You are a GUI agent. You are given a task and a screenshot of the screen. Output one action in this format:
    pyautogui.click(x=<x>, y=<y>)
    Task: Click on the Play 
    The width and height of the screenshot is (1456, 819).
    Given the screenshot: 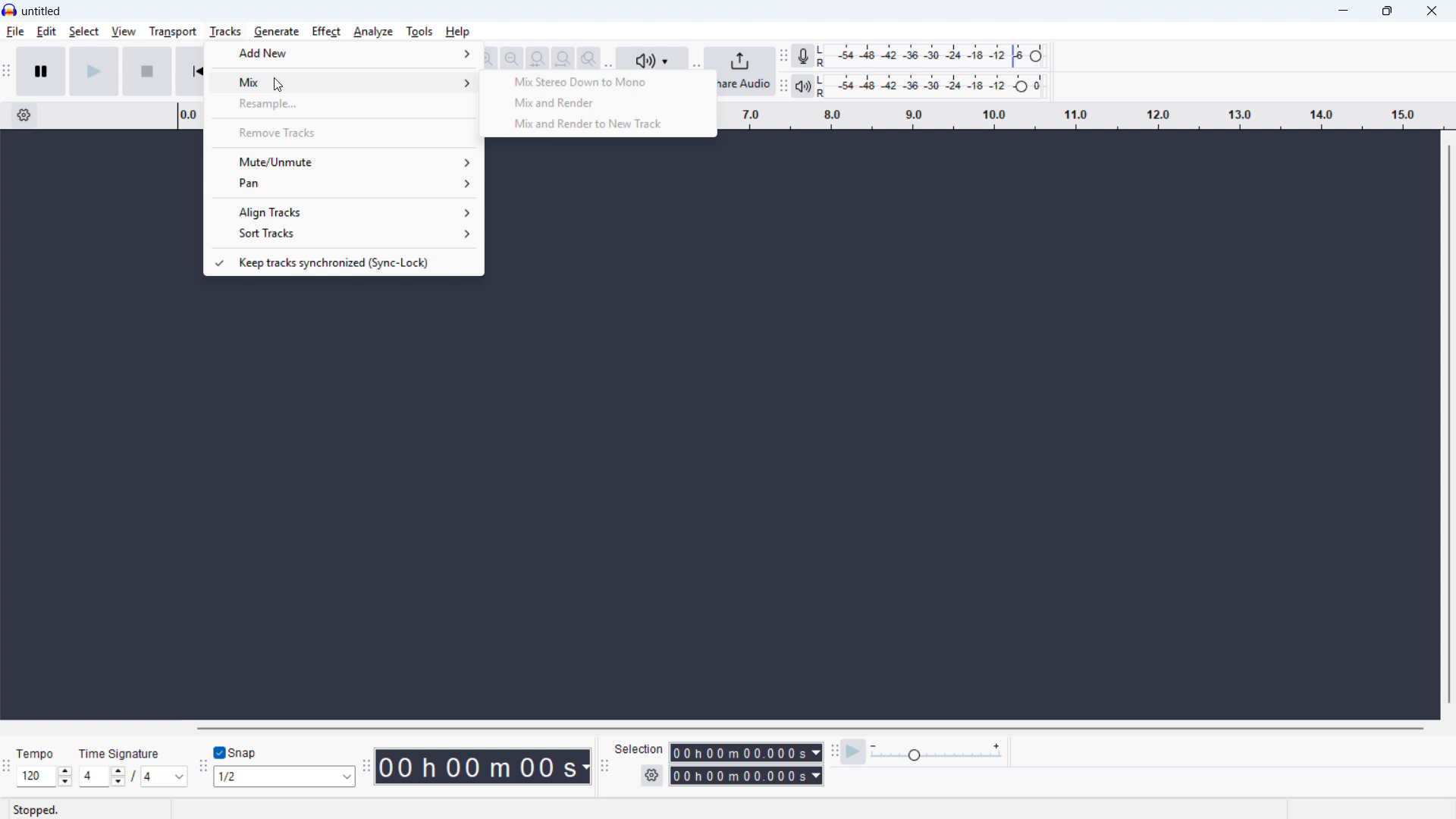 What is the action you would take?
    pyautogui.click(x=96, y=71)
    